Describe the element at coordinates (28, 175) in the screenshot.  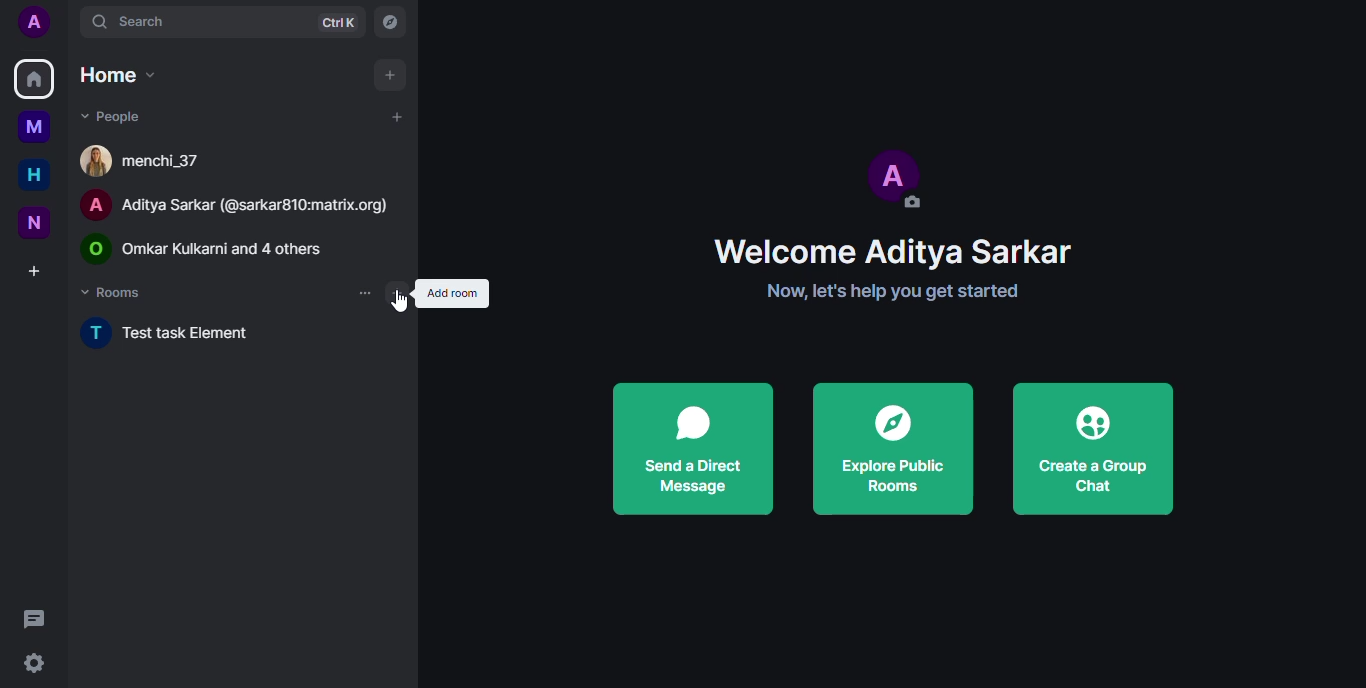
I see `home` at that location.